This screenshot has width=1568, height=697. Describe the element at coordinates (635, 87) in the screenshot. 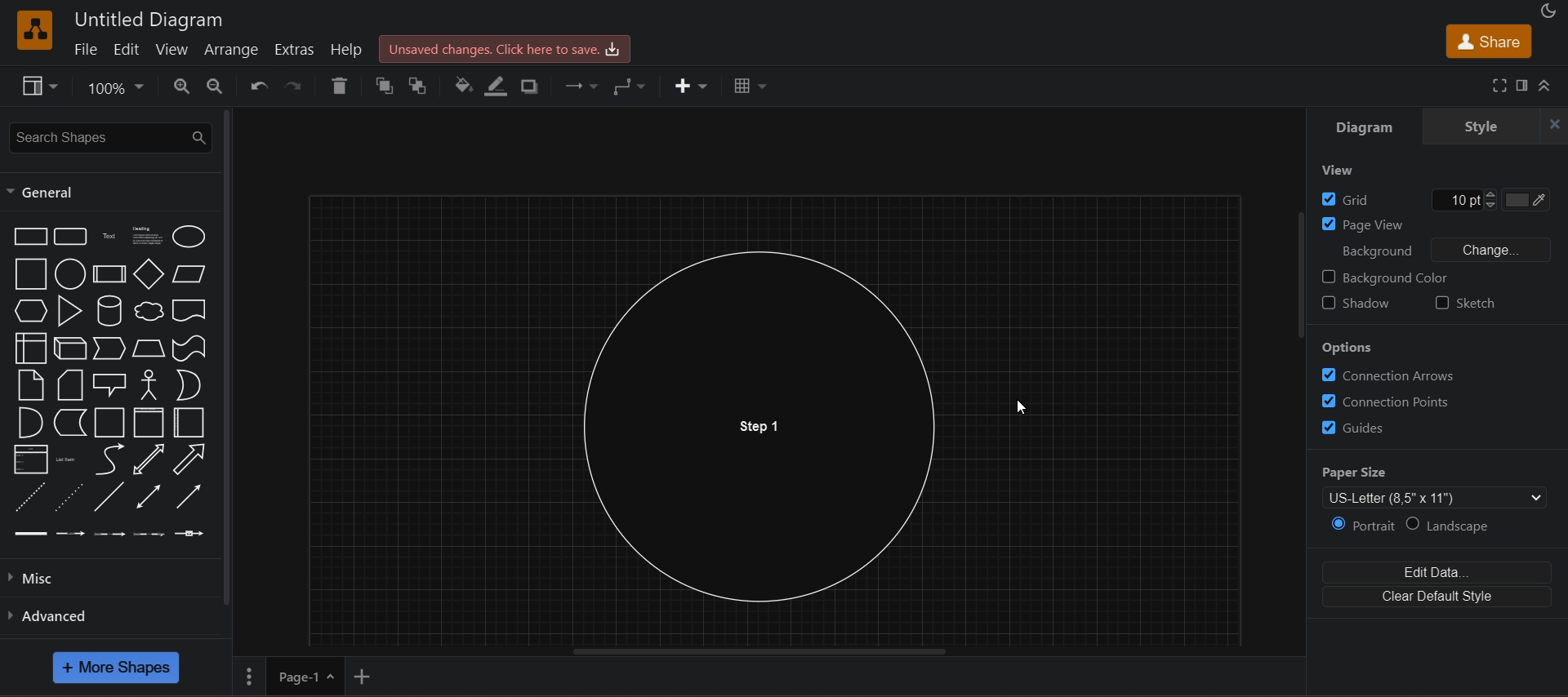

I see `waypoints` at that location.